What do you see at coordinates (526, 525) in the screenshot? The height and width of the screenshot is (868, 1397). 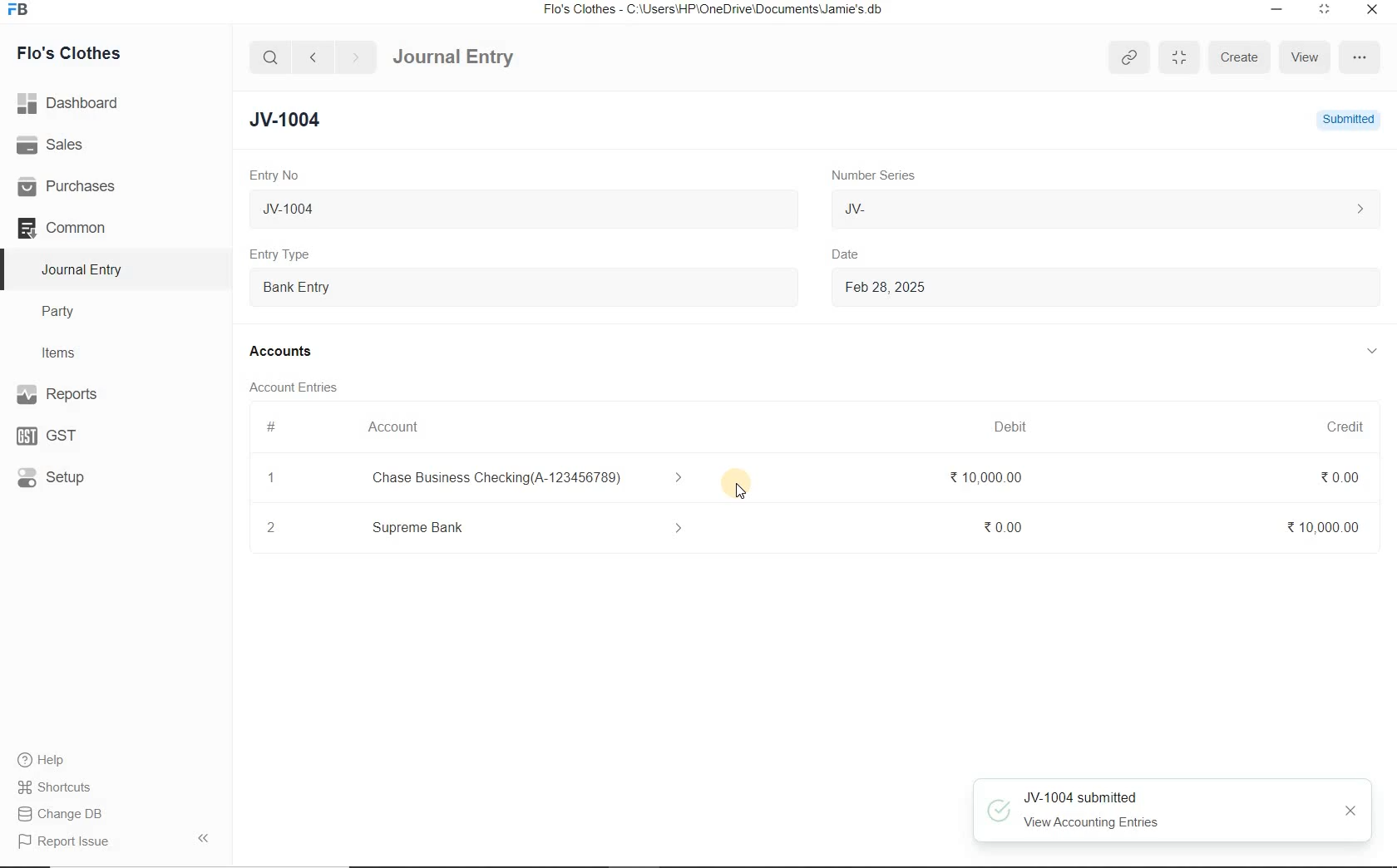 I see `Add Row` at bounding box center [526, 525].